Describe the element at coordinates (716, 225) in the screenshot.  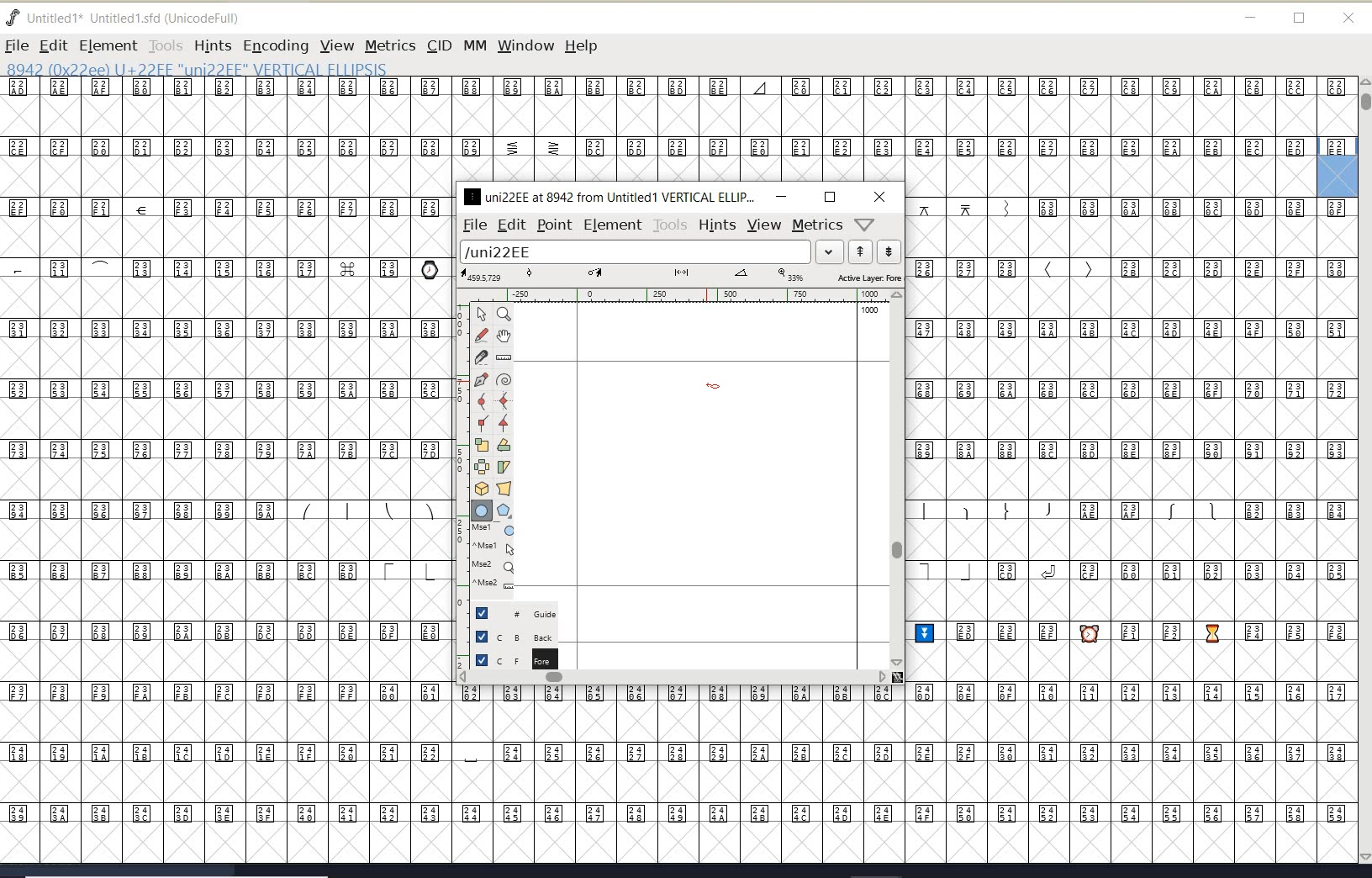
I see `hints` at that location.